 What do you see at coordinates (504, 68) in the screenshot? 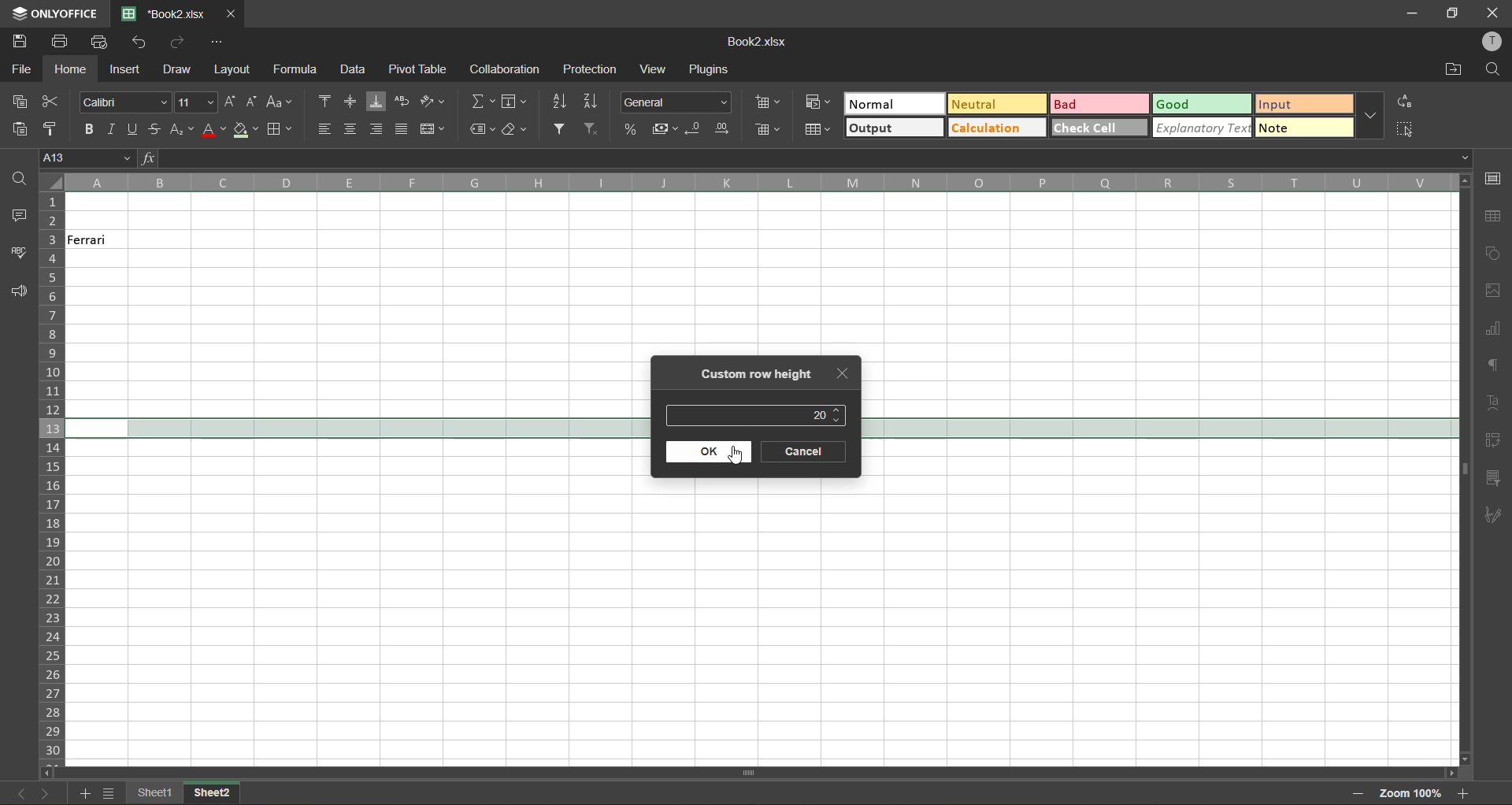
I see `collaboration` at bounding box center [504, 68].